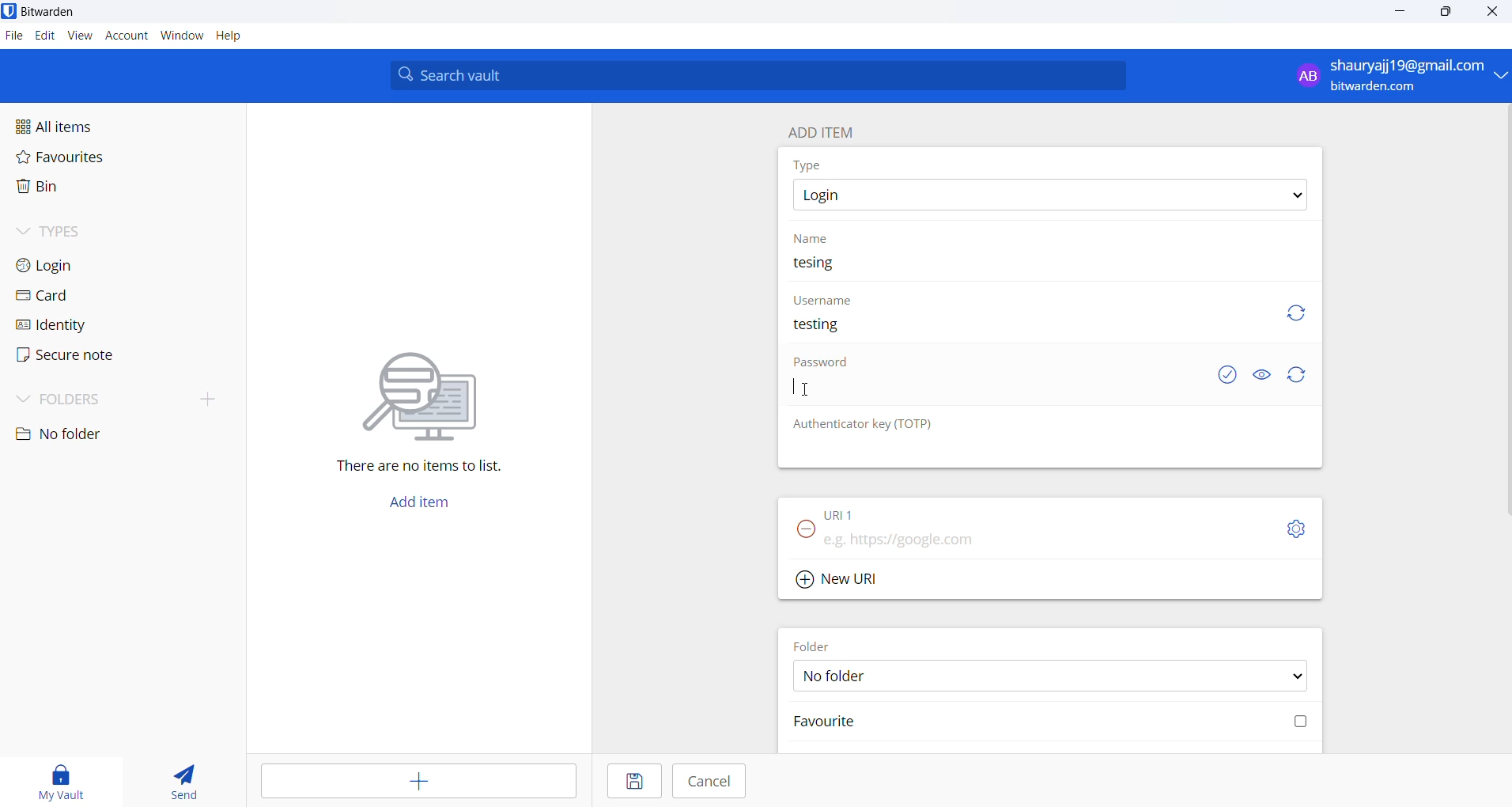 The height and width of the screenshot is (807, 1512). I want to click on edit, so click(44, 37).